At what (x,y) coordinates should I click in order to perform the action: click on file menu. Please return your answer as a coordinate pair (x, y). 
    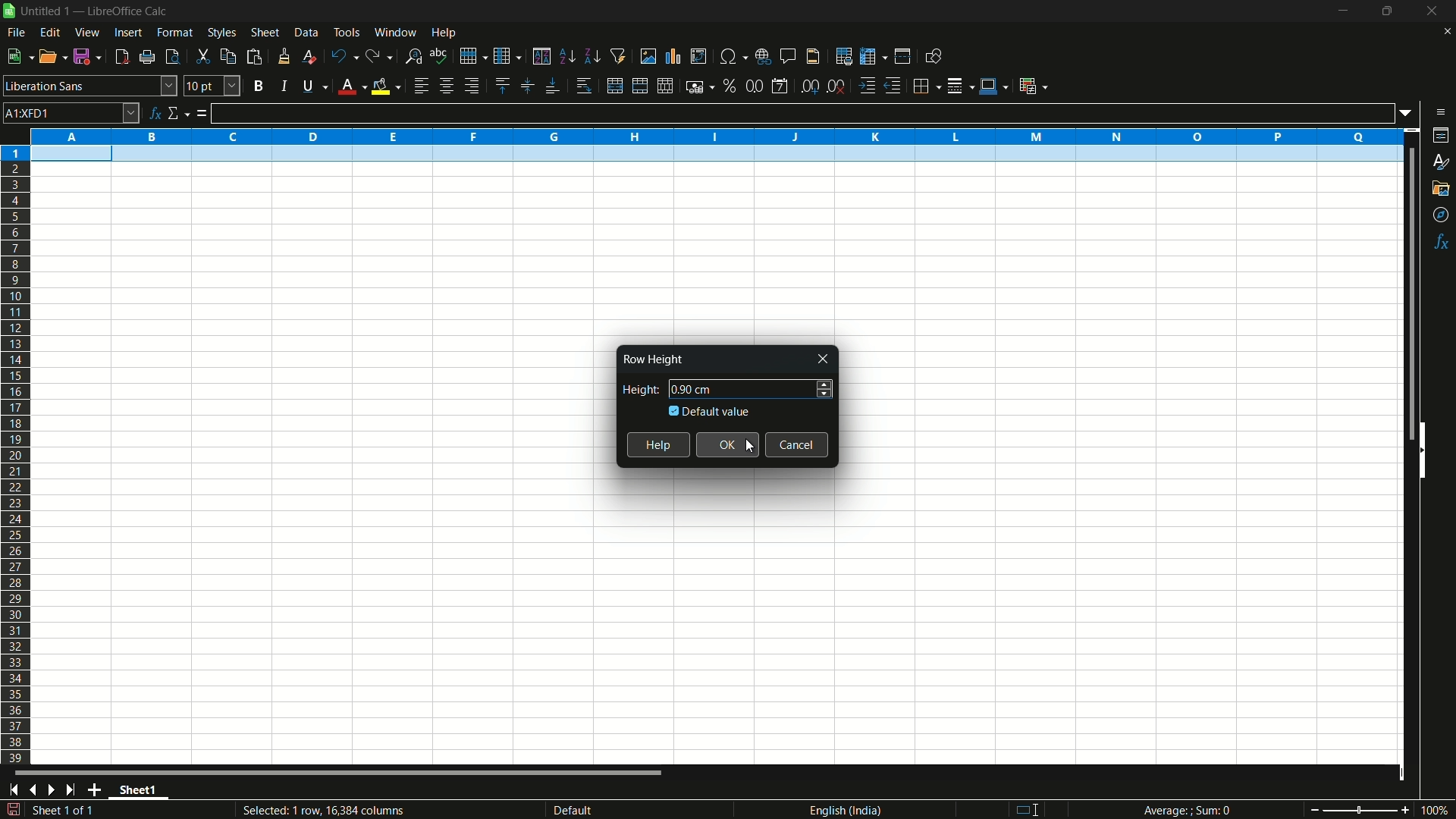
    Looking at the image, I should click on (16, 33).